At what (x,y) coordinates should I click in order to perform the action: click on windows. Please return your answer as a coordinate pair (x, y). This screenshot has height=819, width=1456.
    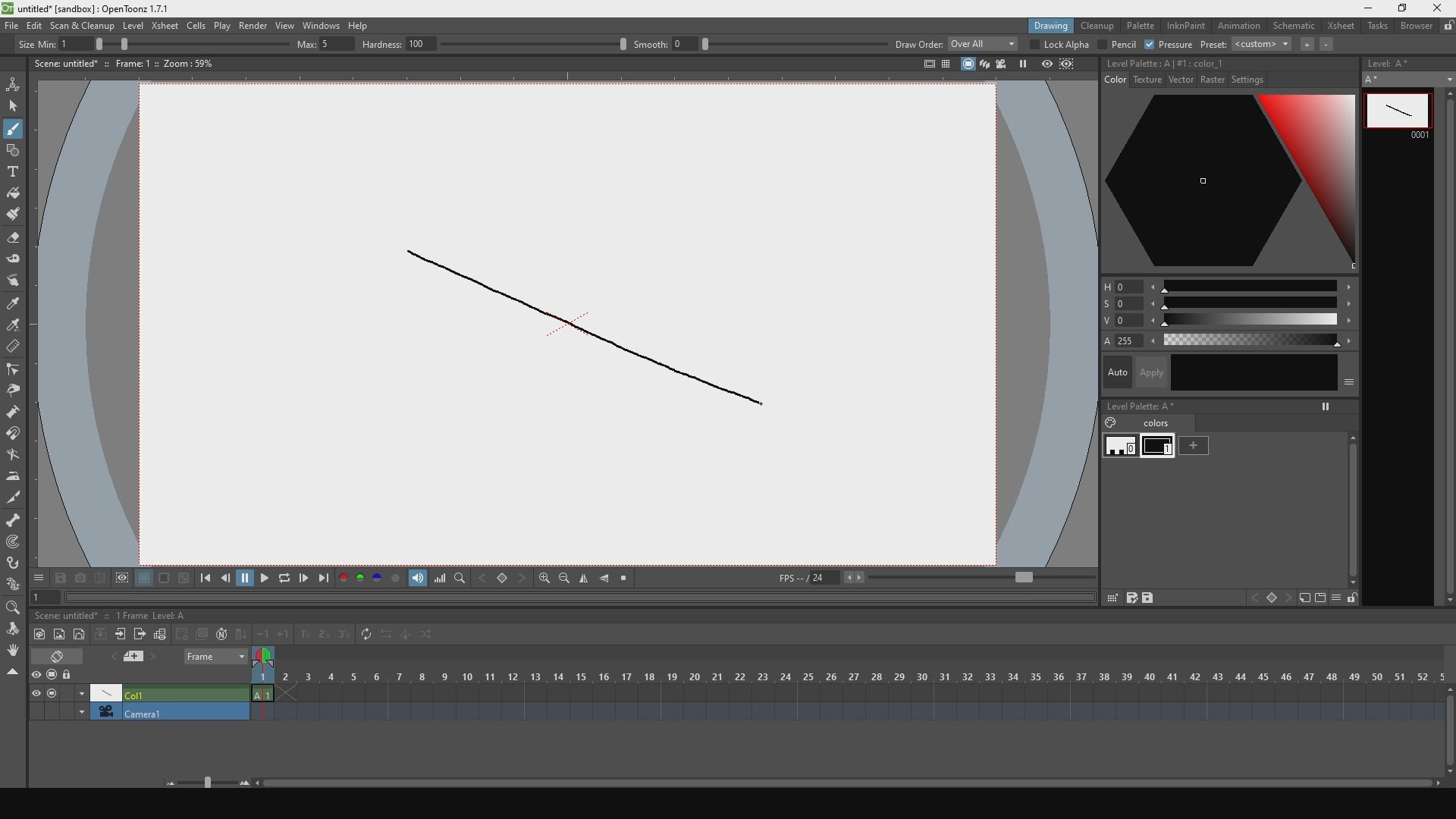
    Looking at the image, I should click on (320, 23).